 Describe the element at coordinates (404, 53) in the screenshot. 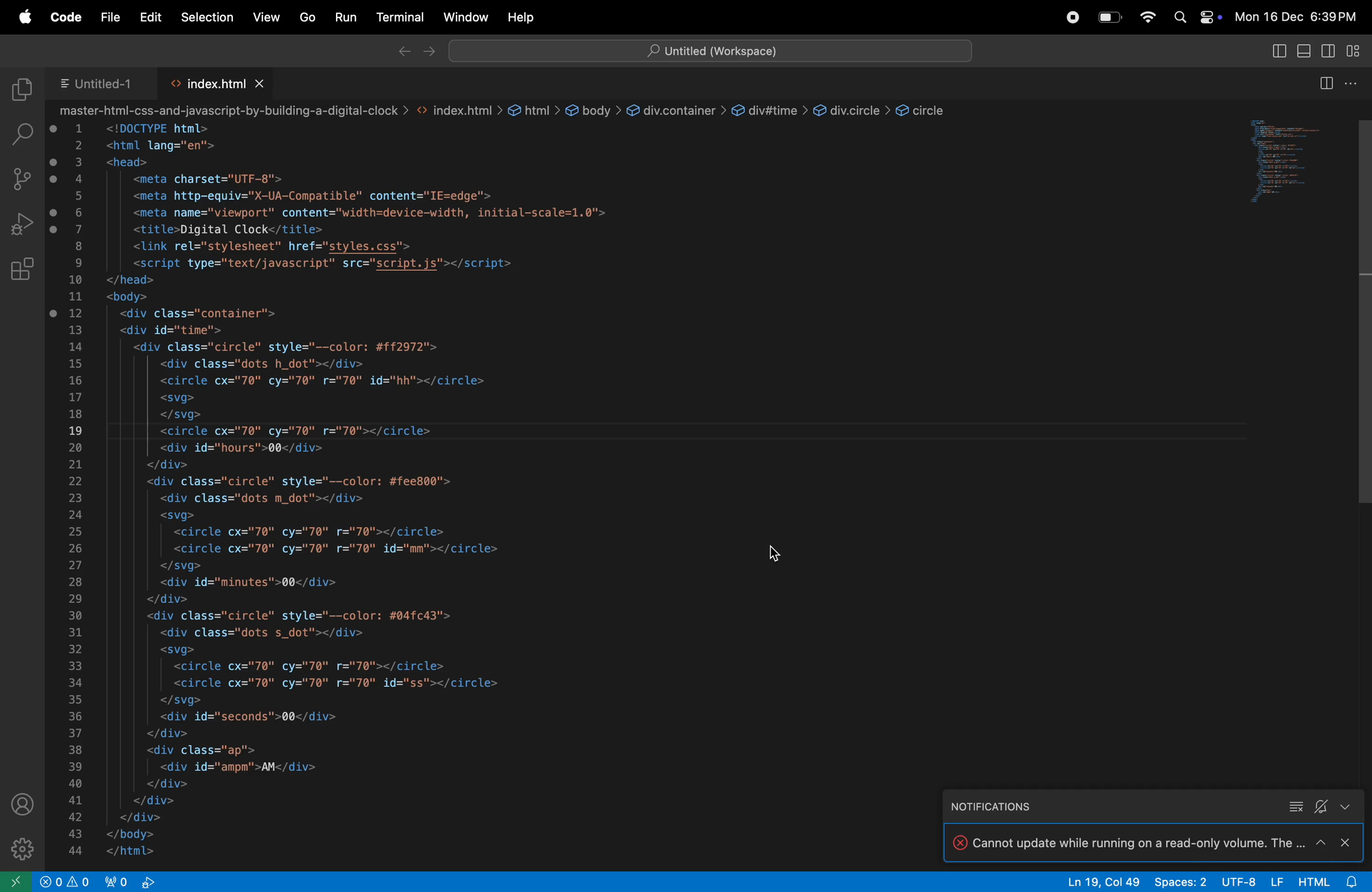

I see `back ward` at that location.